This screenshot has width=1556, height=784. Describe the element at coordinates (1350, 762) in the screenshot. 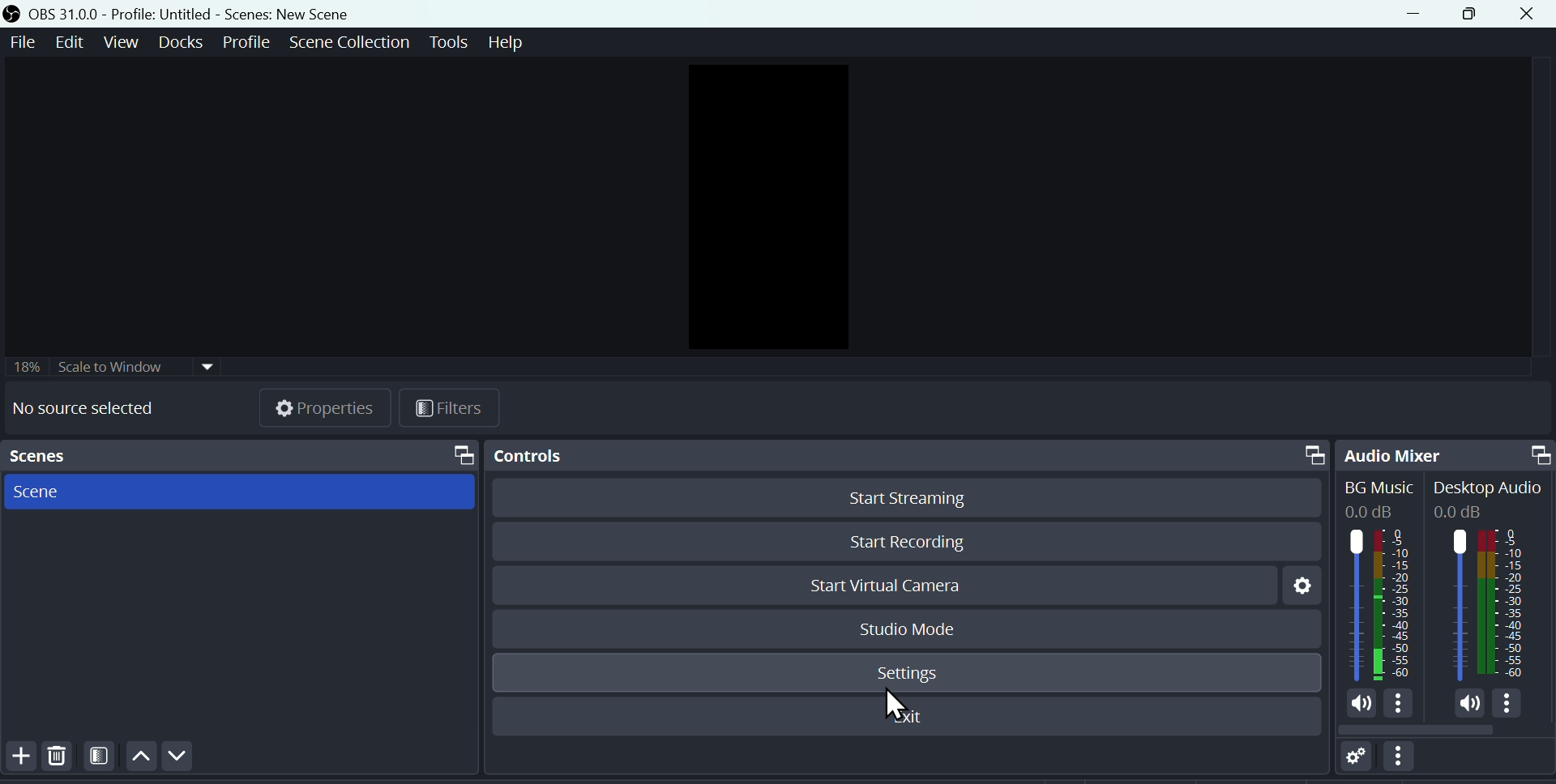

I see `Settings` at that location.